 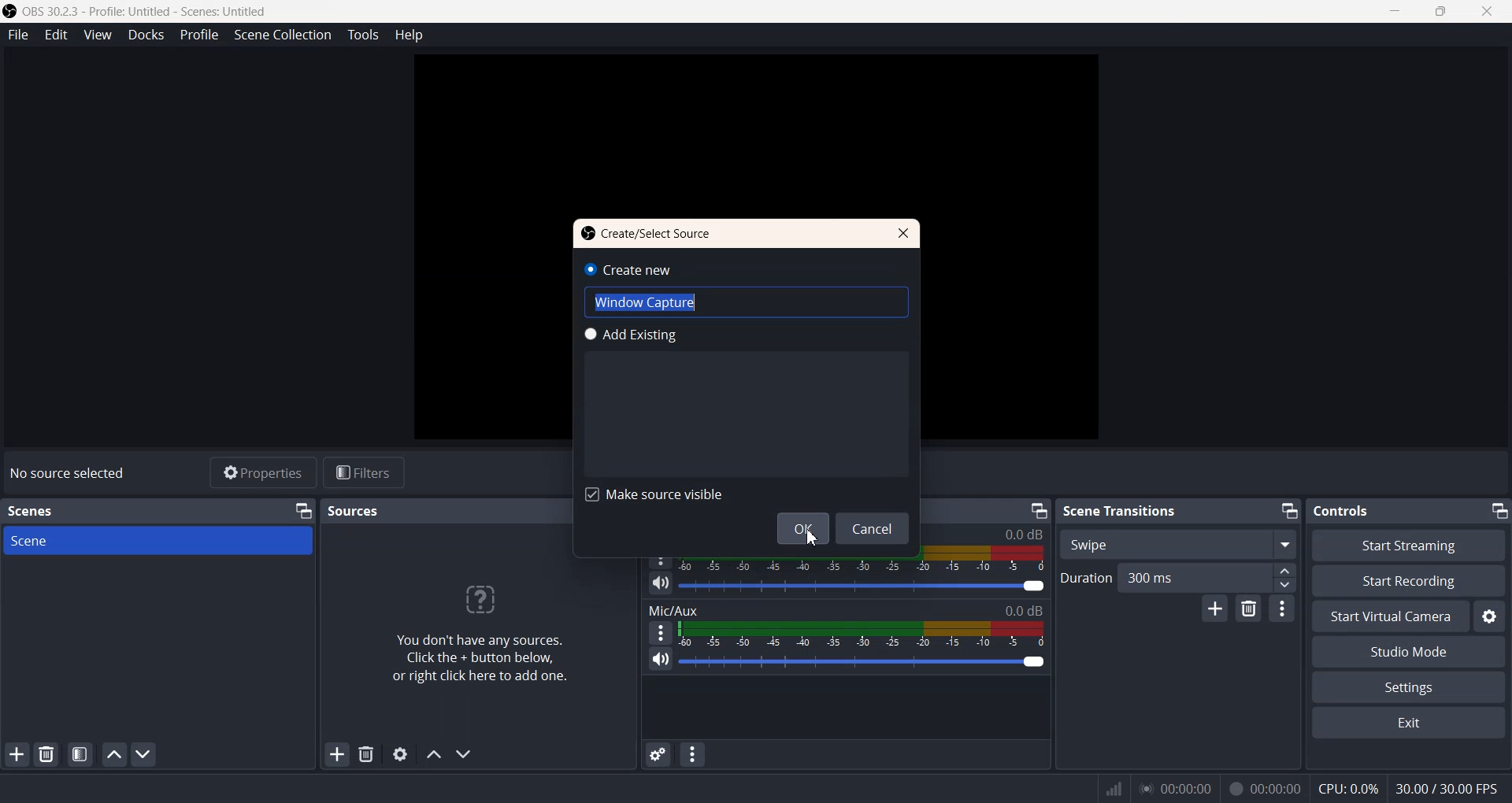 What do you see at coordinates (31, 511) in the screenshot?
I see `Scenes` at bounding box center [31, 511].